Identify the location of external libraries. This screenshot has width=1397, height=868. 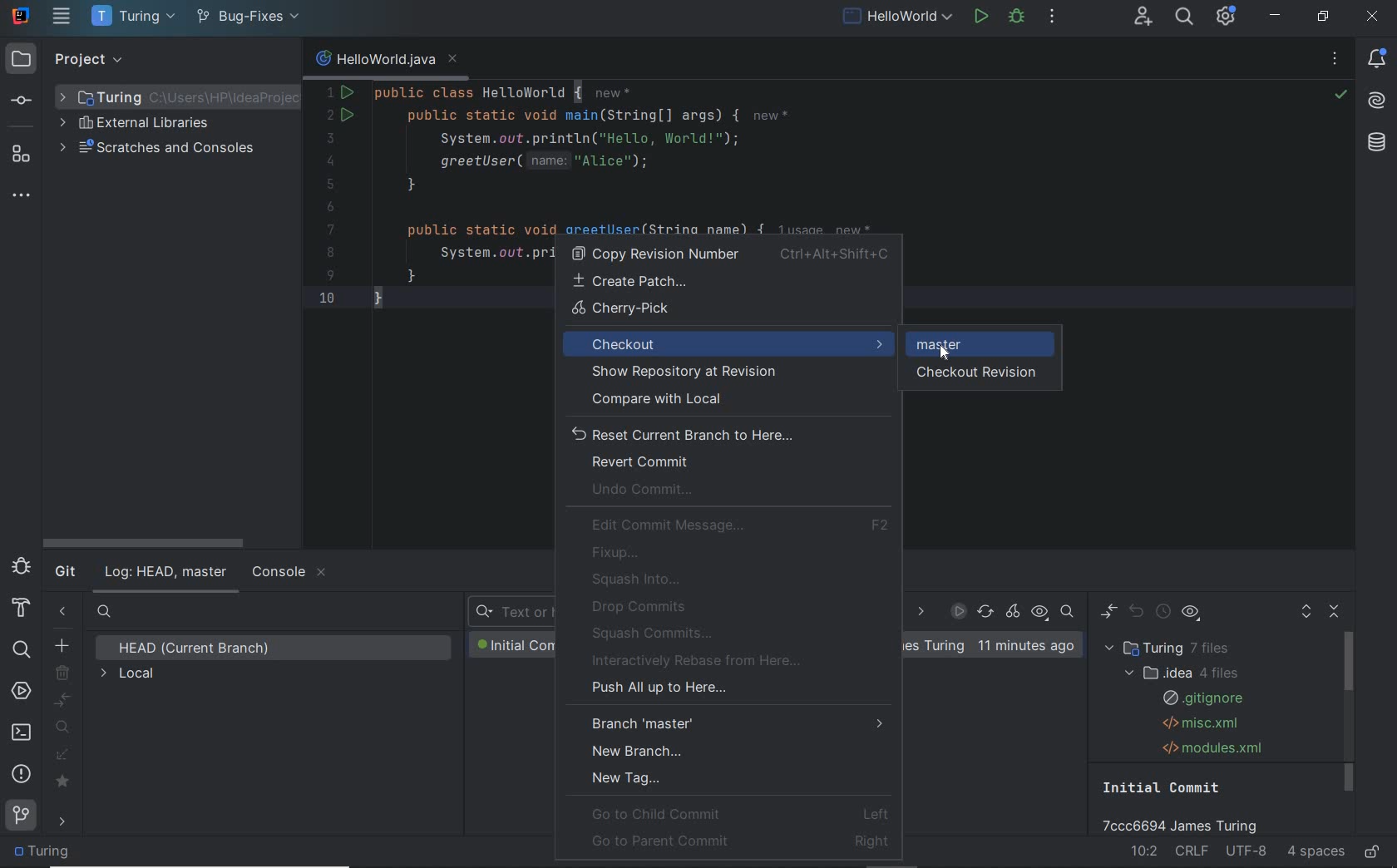
(143, 124).